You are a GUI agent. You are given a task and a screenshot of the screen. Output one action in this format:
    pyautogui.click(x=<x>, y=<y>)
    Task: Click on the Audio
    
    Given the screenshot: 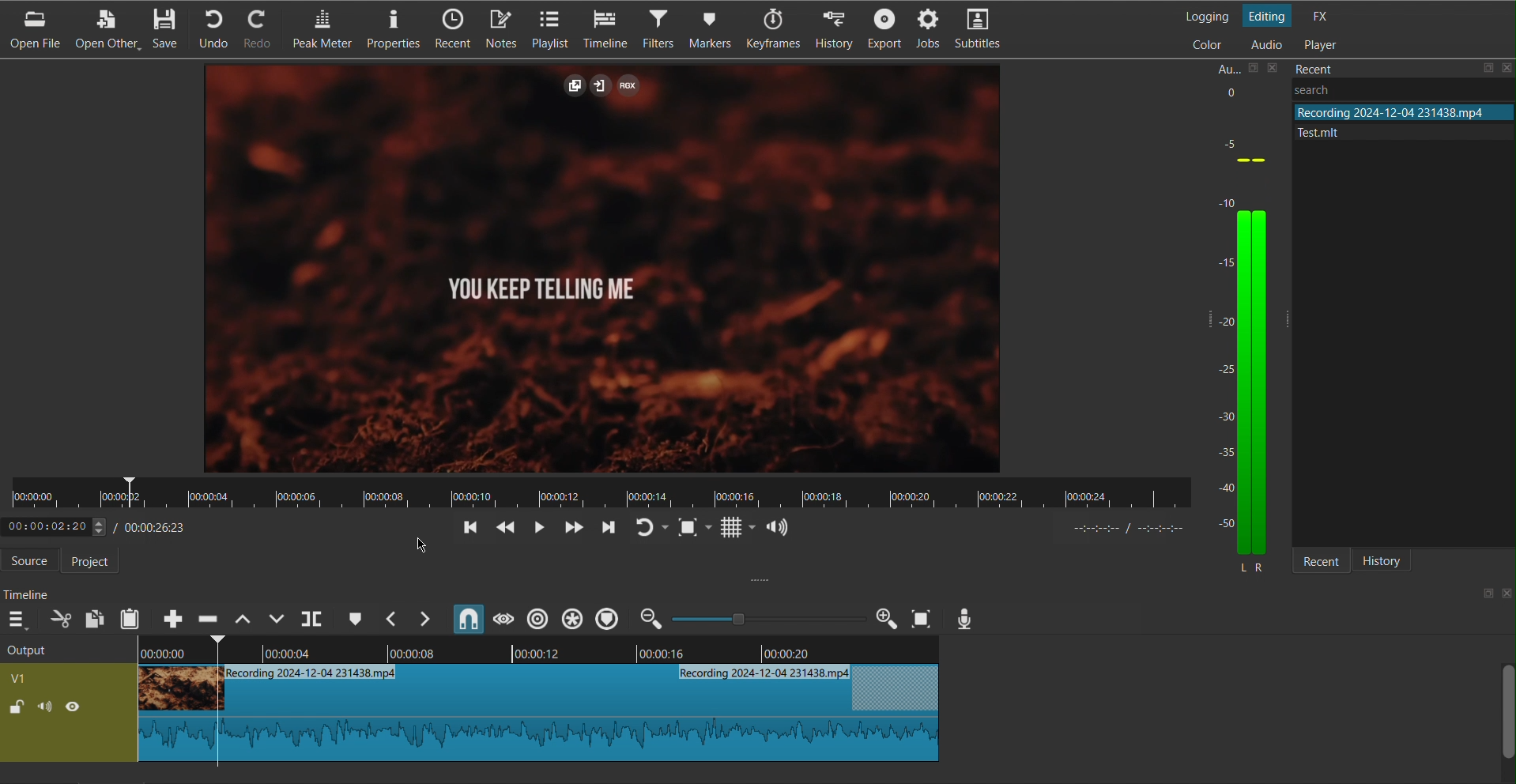 What is the action you would take?
    pyautogui.click(x=1265, y=45)
    